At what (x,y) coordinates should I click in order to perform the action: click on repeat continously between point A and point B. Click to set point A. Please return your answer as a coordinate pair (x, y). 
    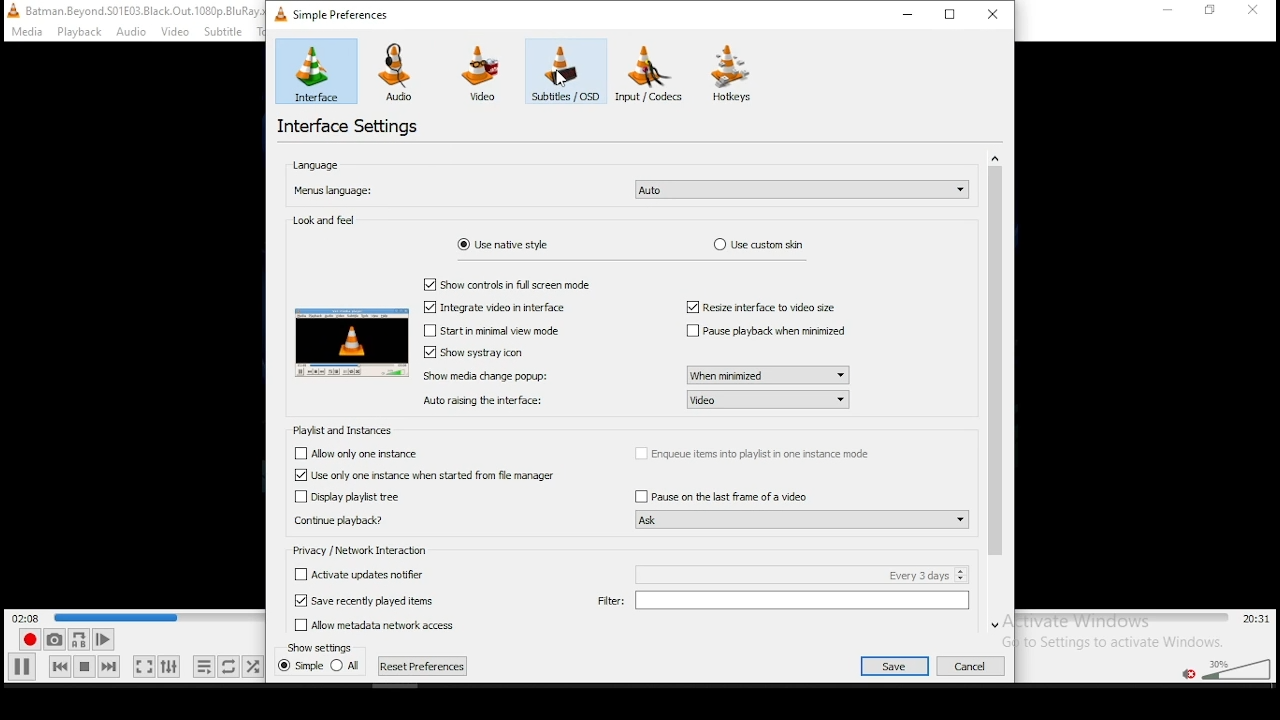
    Looking at the image, I should click on (77, 639).